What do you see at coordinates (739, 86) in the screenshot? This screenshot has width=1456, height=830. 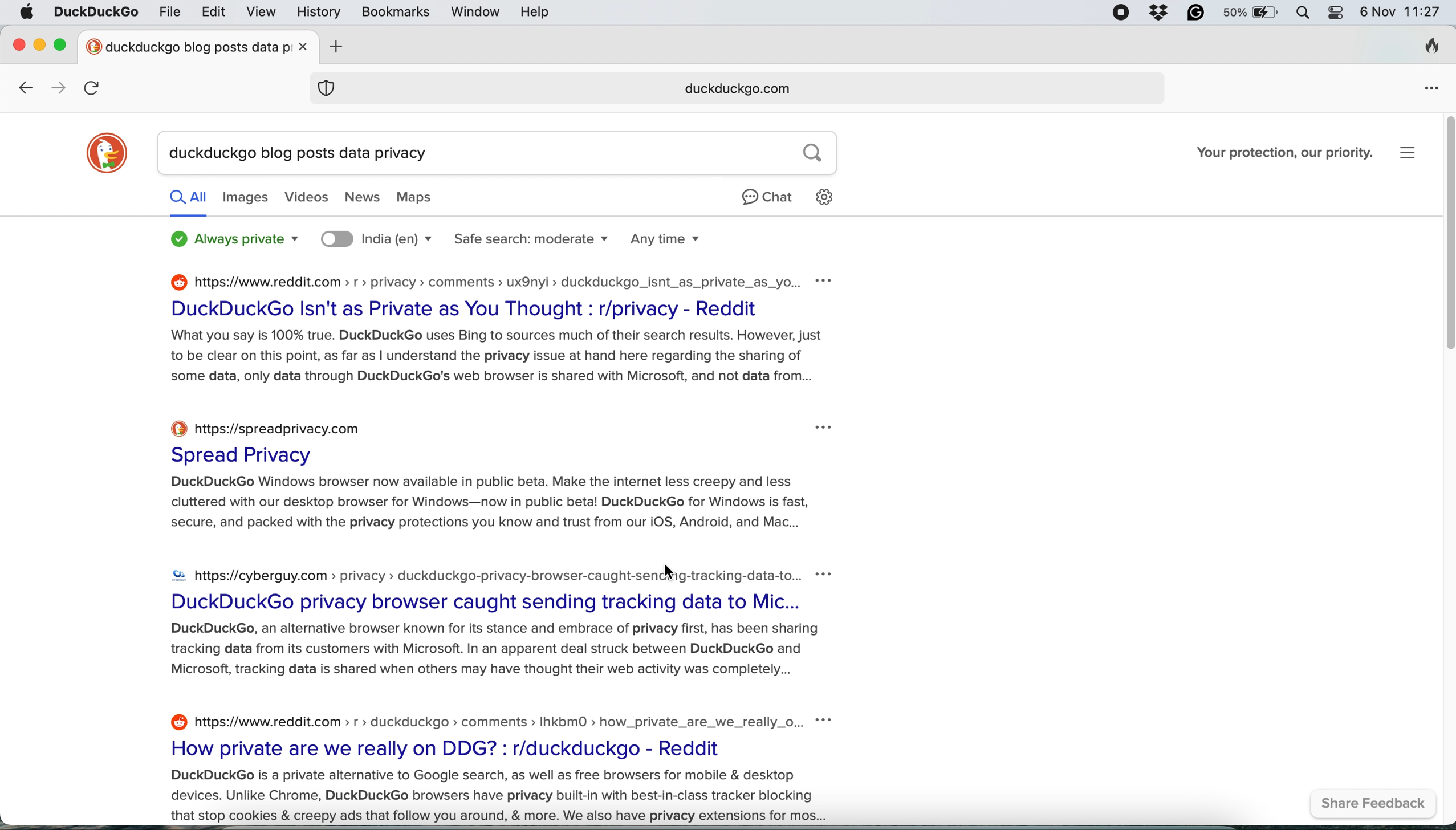 I see `open website` at bounding box center [739, 86].